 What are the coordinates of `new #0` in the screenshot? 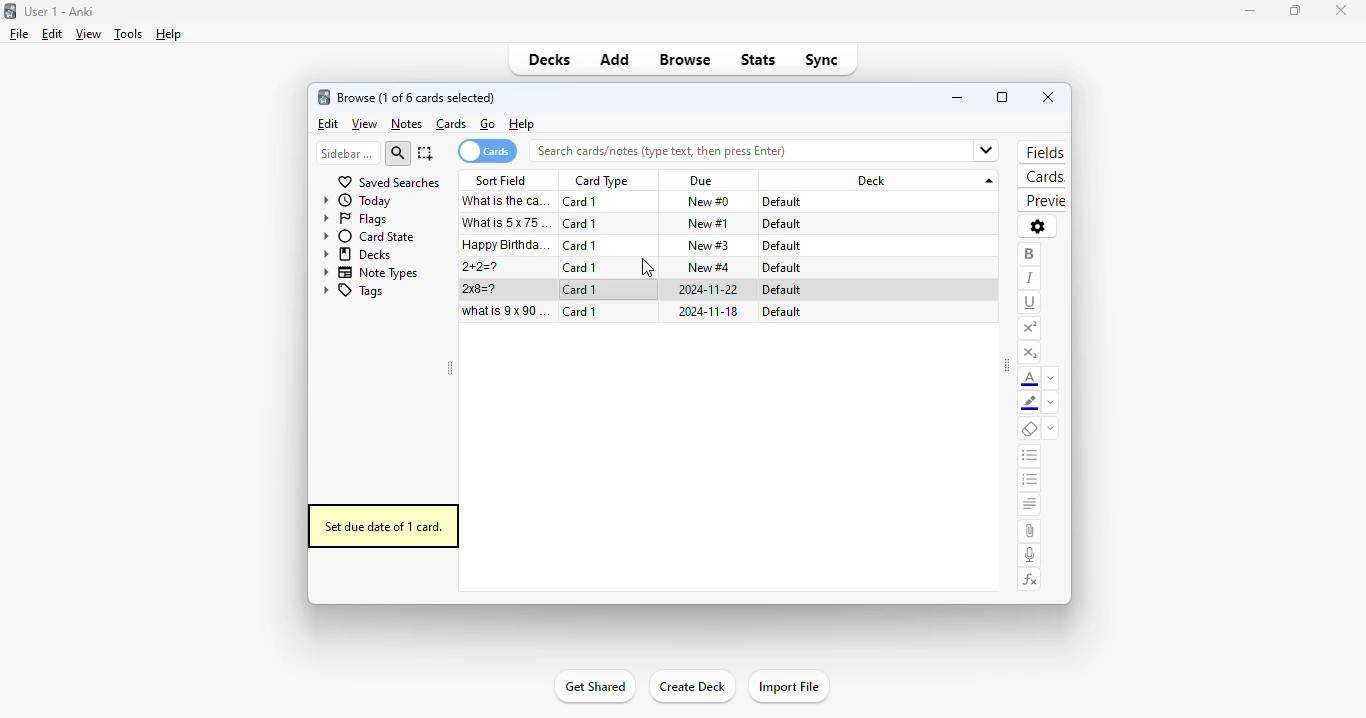 It's located at (708, 202).